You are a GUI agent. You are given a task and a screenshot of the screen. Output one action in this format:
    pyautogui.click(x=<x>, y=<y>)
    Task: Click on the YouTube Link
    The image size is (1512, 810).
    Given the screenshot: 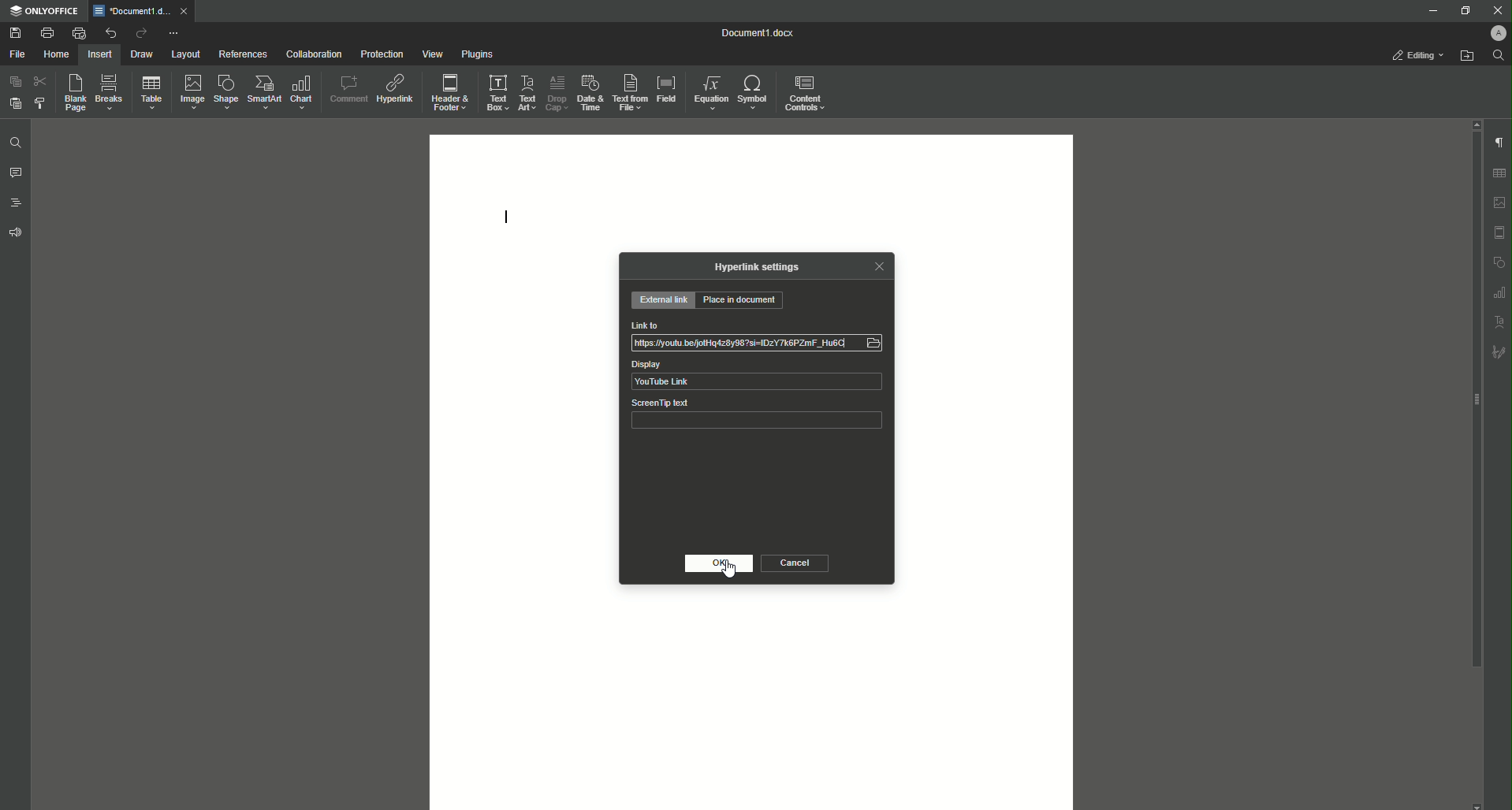 What is the action you would take?
    pyautogui.click(x=665, y=383)
    